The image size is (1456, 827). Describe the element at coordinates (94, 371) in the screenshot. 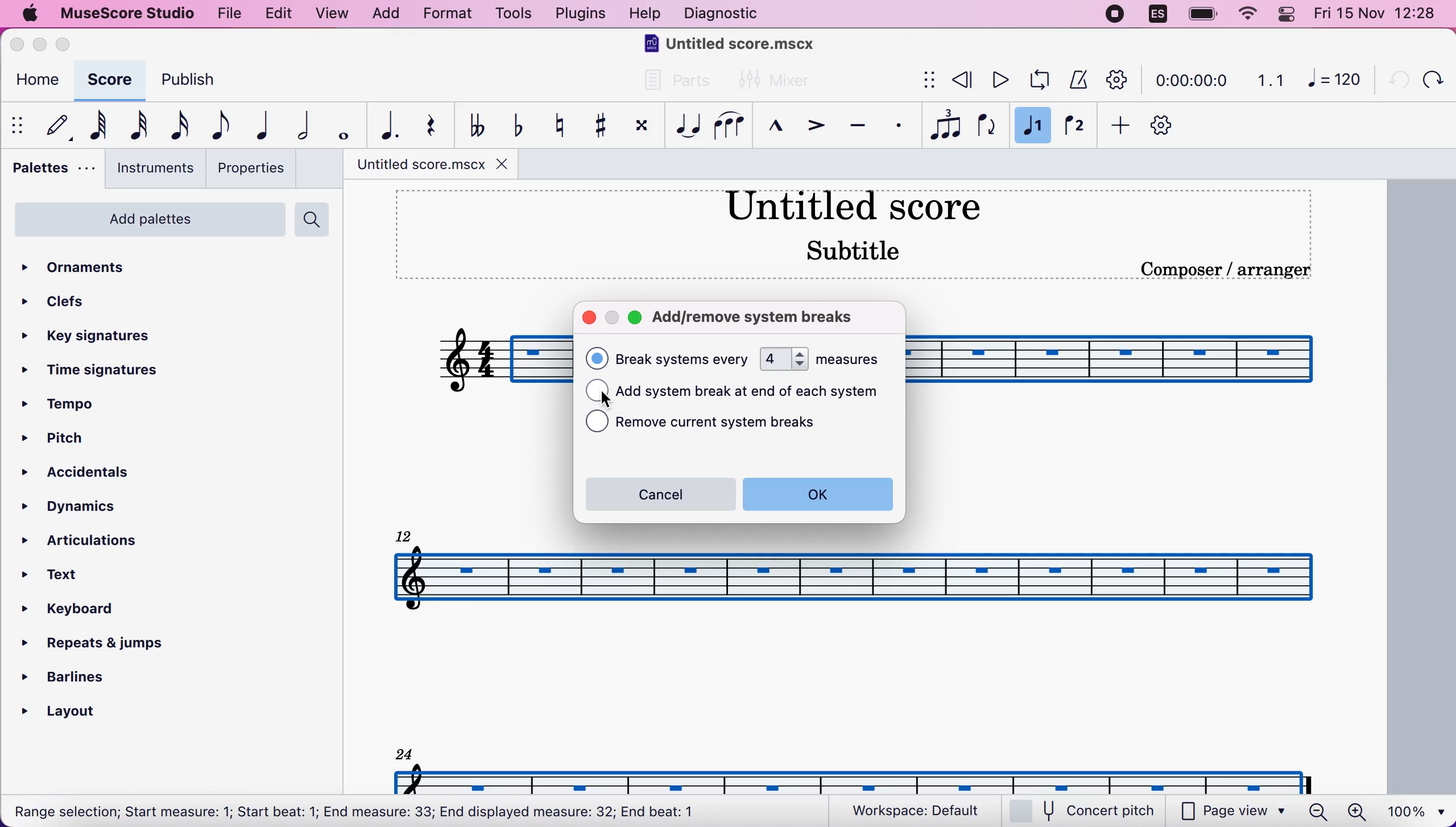

I see `time signatures` at that location.